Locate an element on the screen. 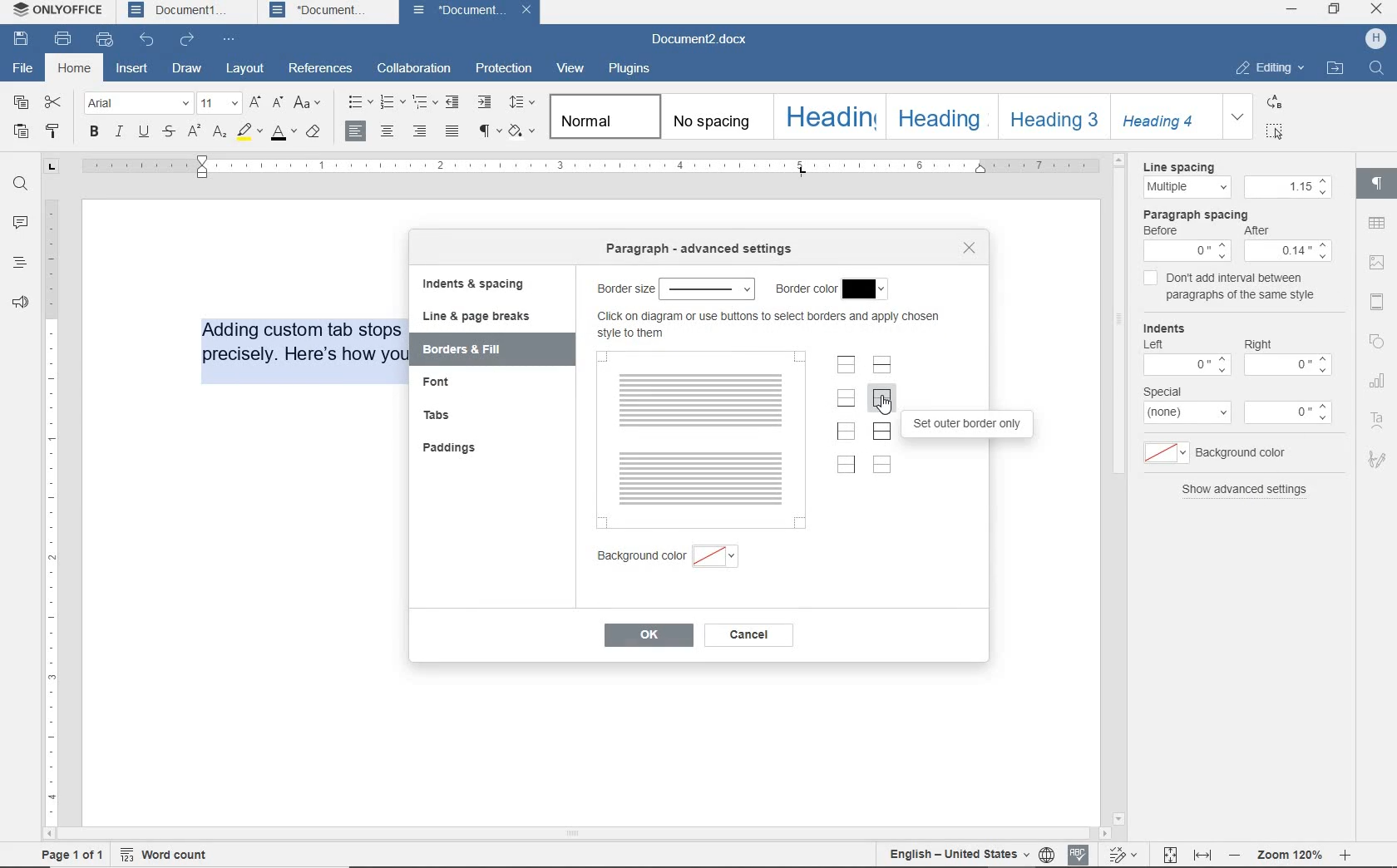  cursor is located at coordinates (886, 404).